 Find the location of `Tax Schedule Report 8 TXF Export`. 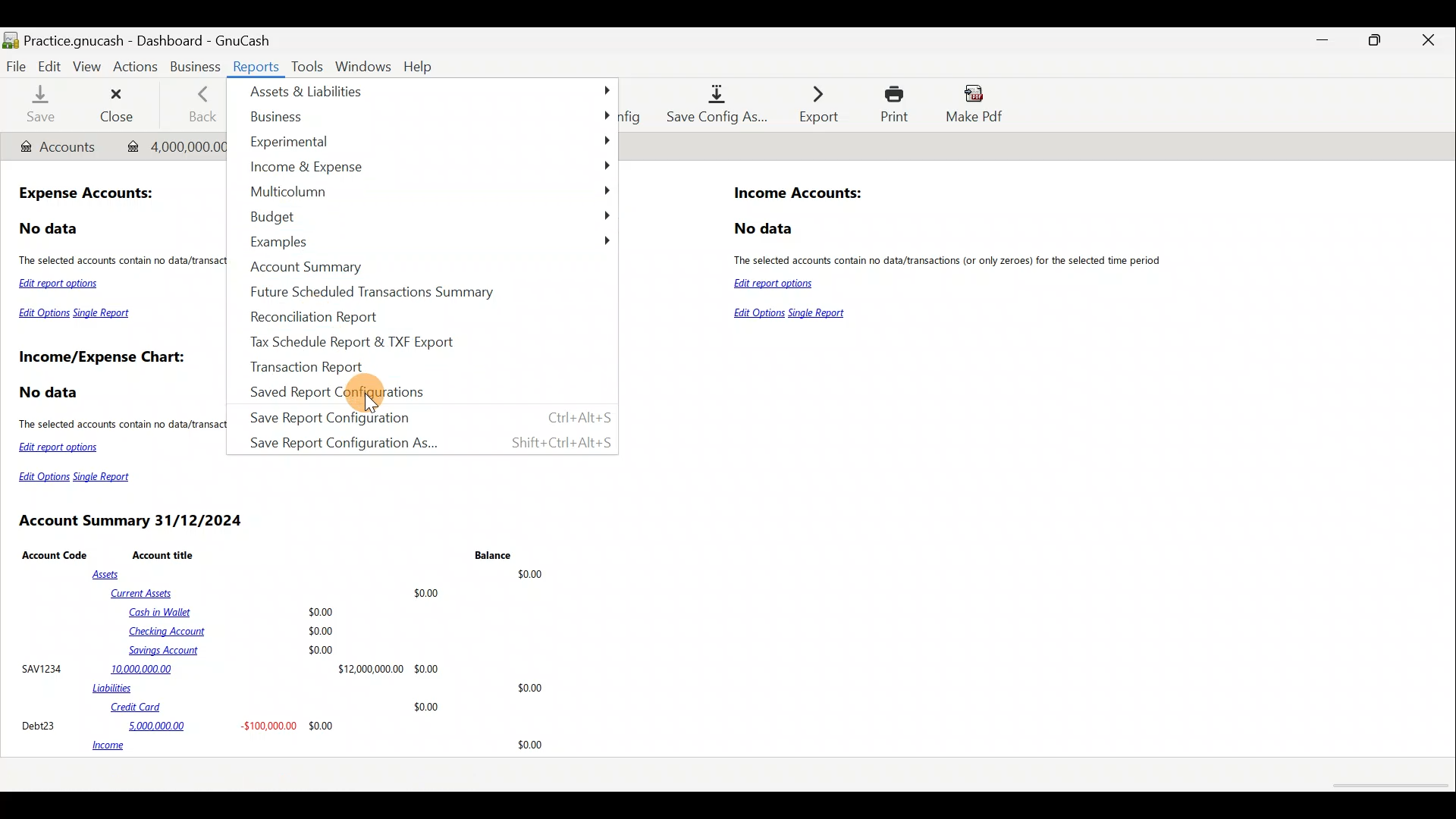

Tax Schedule Report 8 TXF Export is located at coordinates (355, 342).